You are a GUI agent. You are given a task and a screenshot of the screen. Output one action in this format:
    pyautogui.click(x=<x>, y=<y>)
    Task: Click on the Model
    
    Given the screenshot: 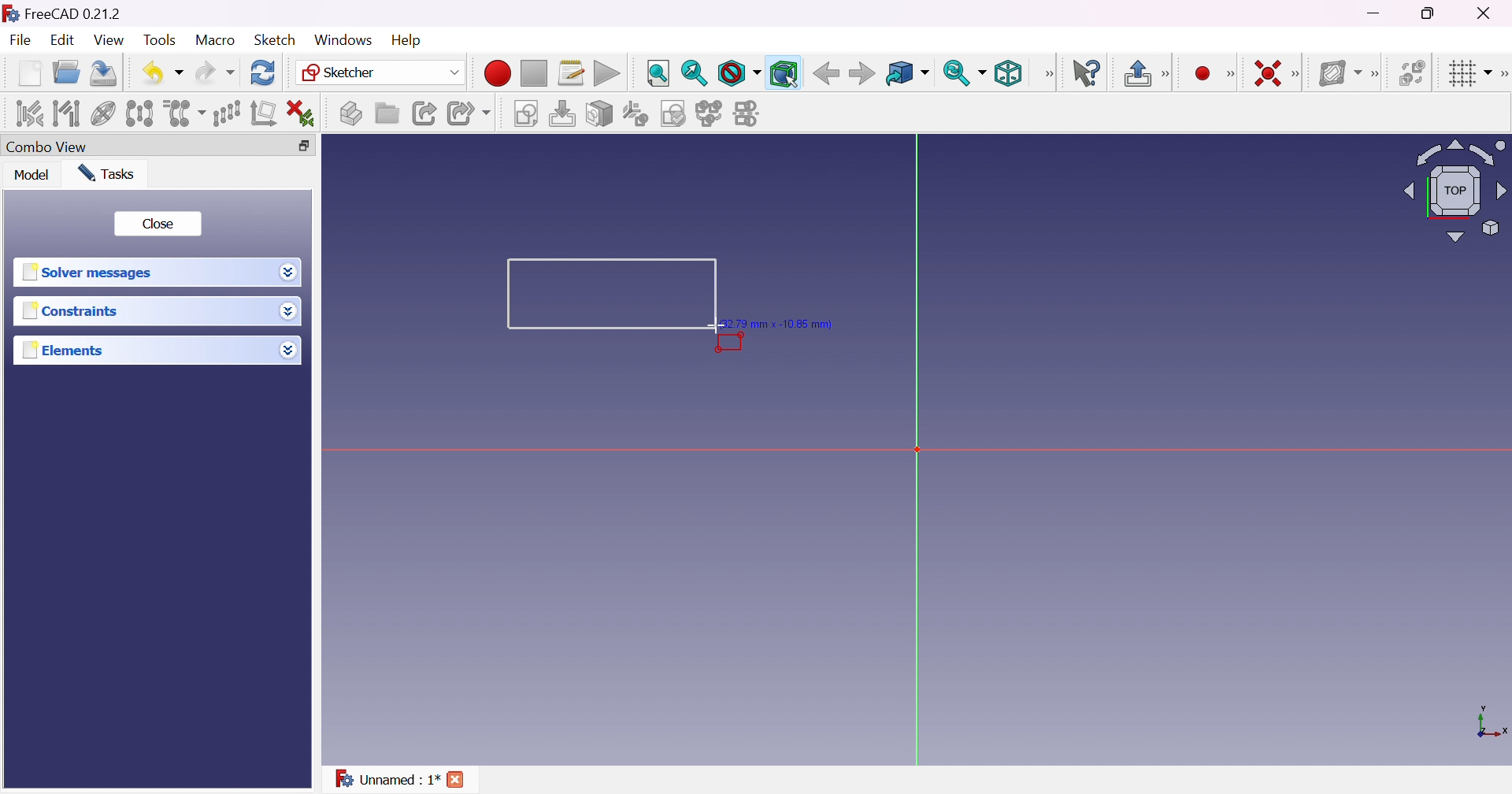 What is the action you would take?
    pyautogui.click(x=31, y=174)
    